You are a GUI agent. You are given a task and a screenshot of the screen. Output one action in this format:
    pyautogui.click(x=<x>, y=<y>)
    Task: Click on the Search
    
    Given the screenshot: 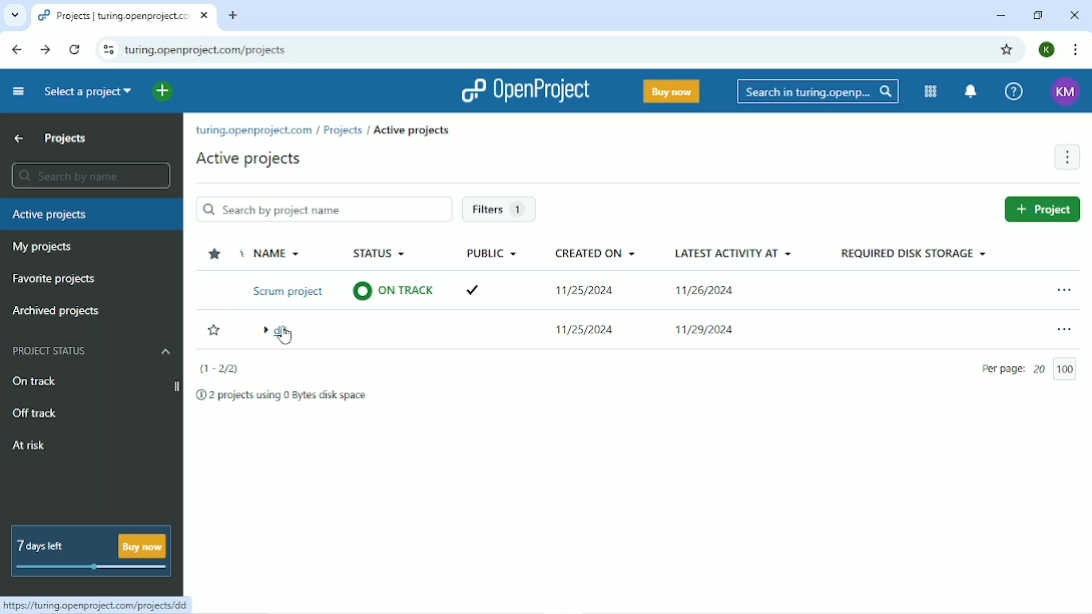 What is the action you would take?
    pyautogui.click(x=817, y=91)
    